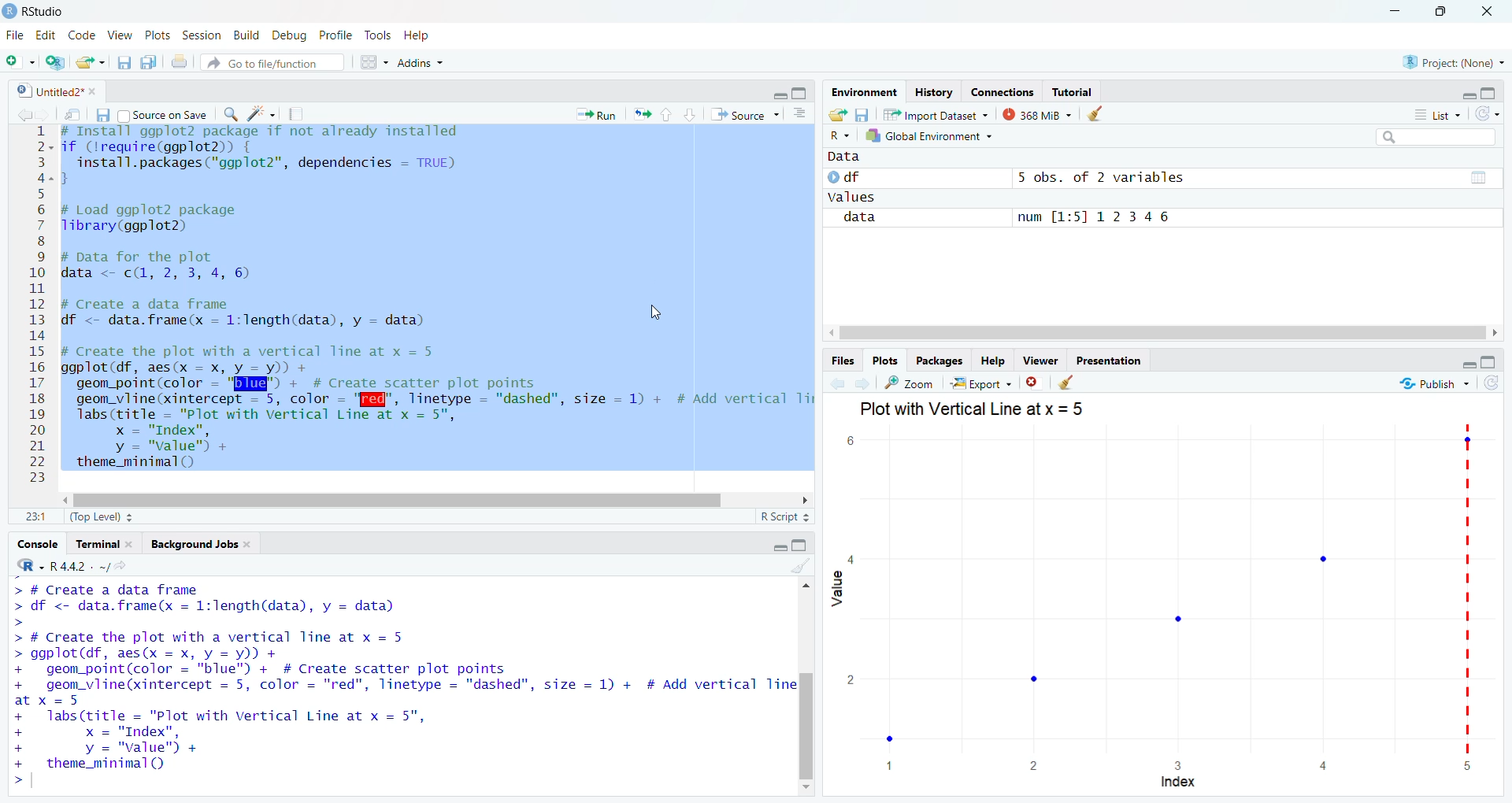 The image size is (1512, 803). I want to click on minimise, so click(1466, 92).